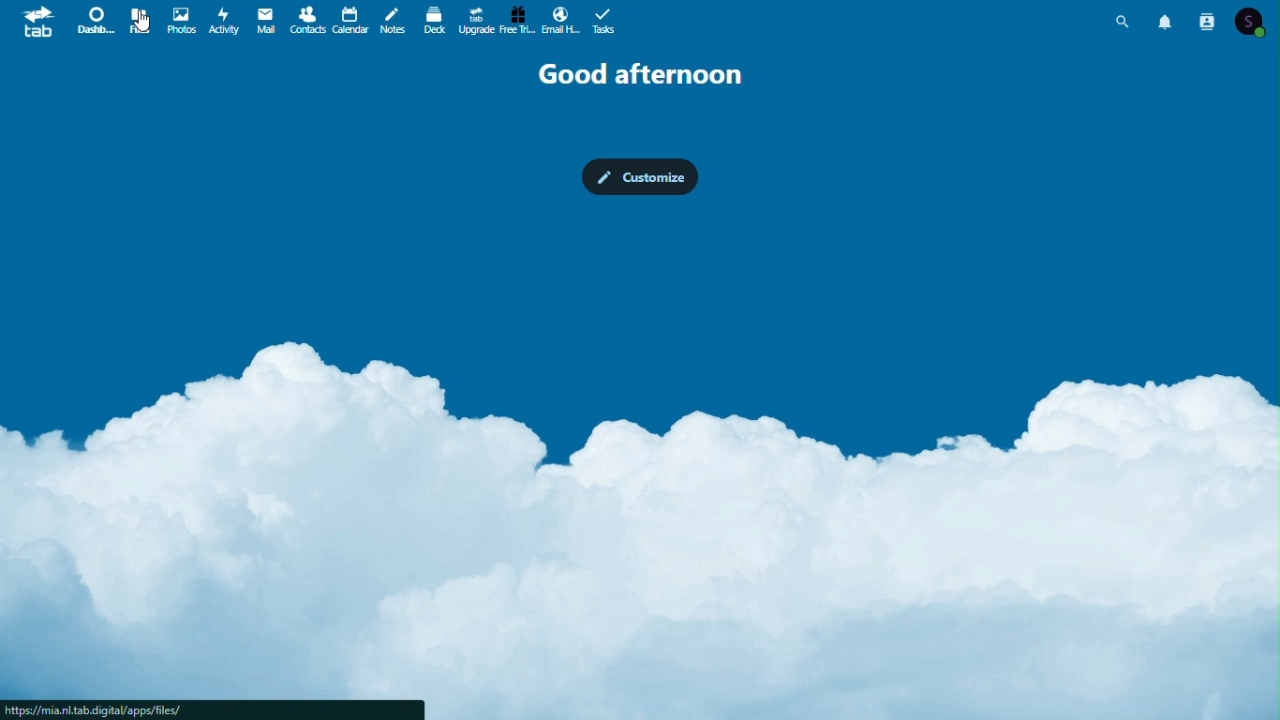 Image resolution: width=1280 pixels, height=720 pixels. What do you see at coordinates (1127, 18) in the screenshot?
I see `search` at bounding box center [1127, 18].